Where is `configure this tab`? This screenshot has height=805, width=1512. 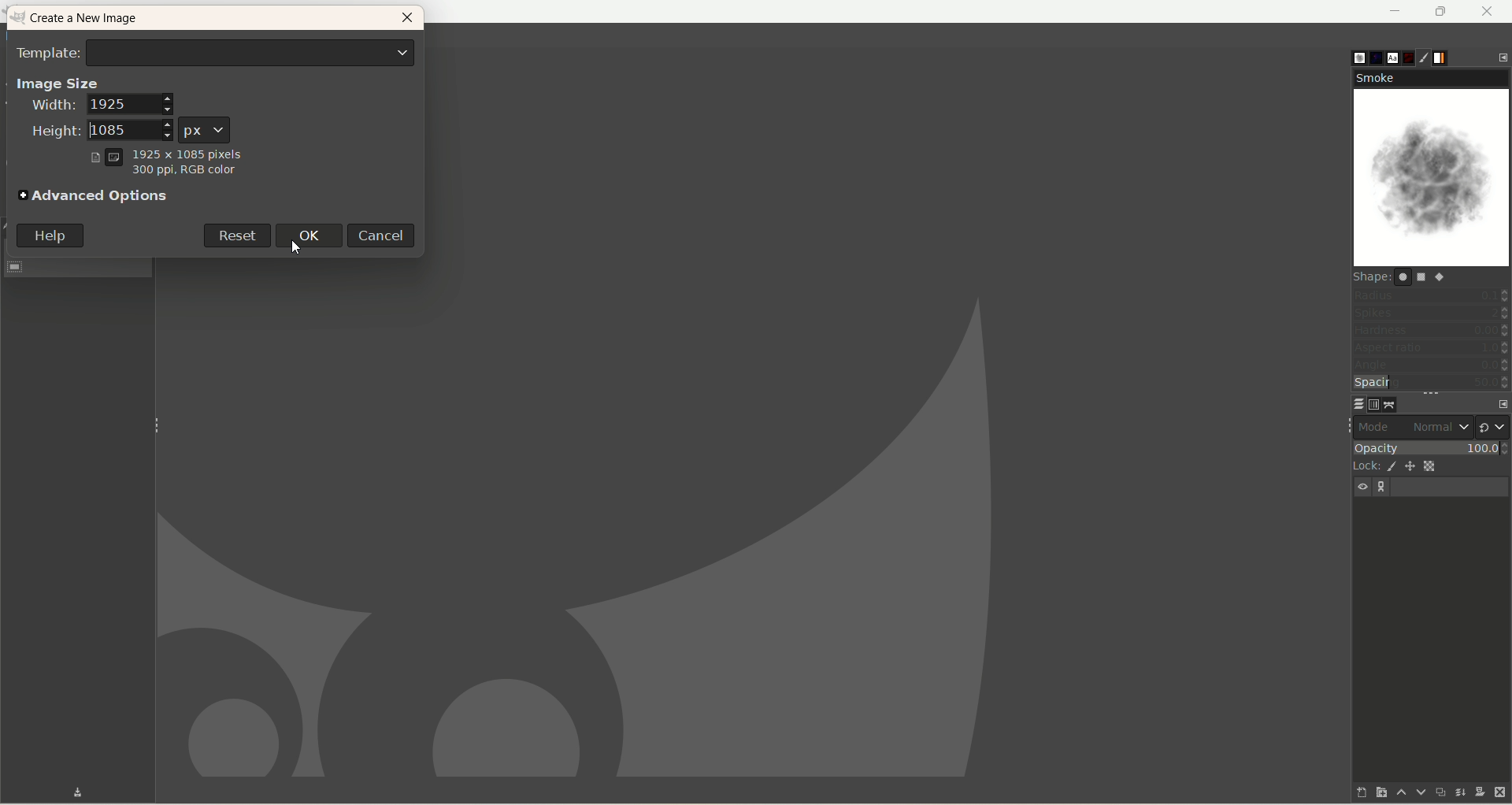 configure this tab is located at coordinates (1499, 402).